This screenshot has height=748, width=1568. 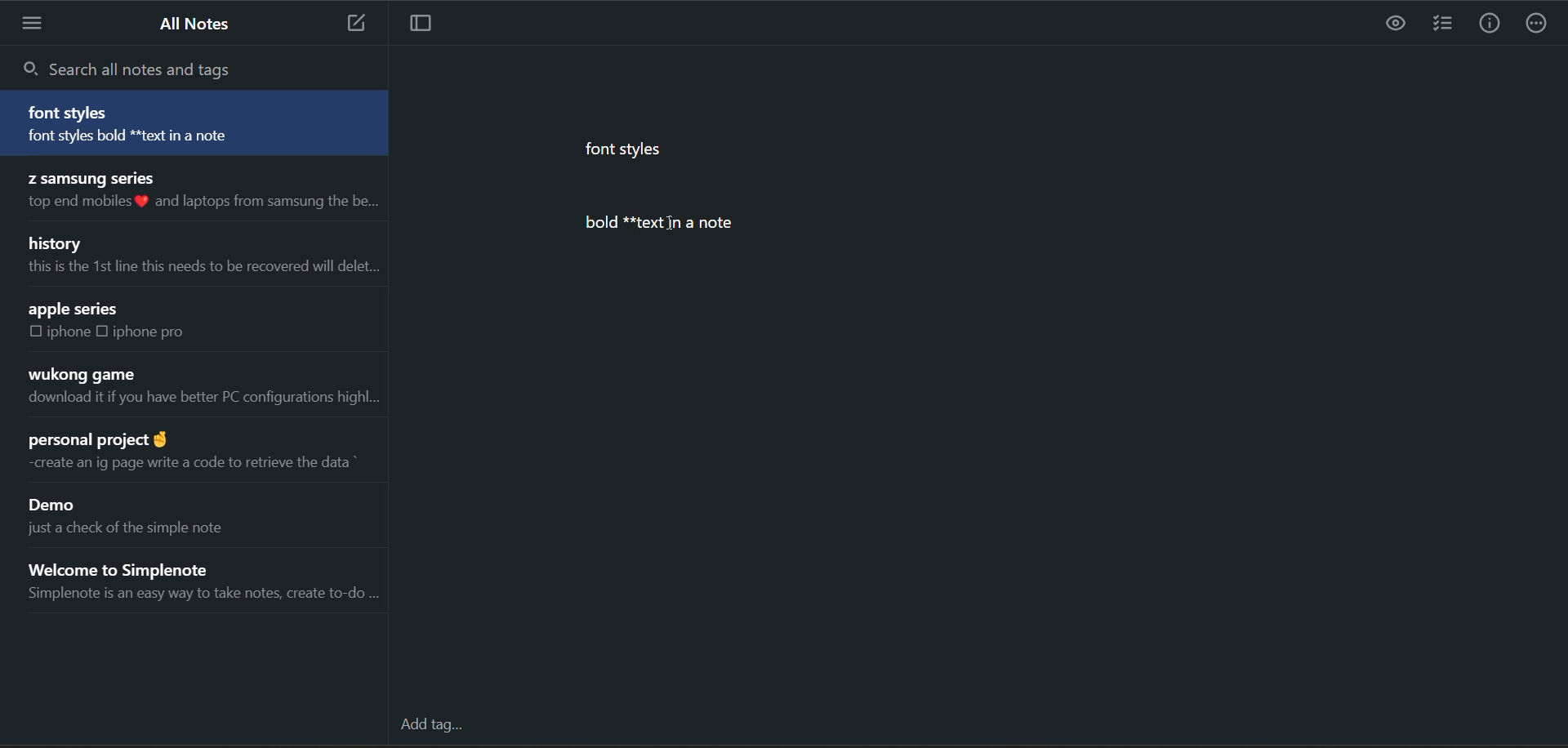 What do you see at coordinates (96, 435) in the screenshot?
I see `personal project @` at bounding box center [96, 435].